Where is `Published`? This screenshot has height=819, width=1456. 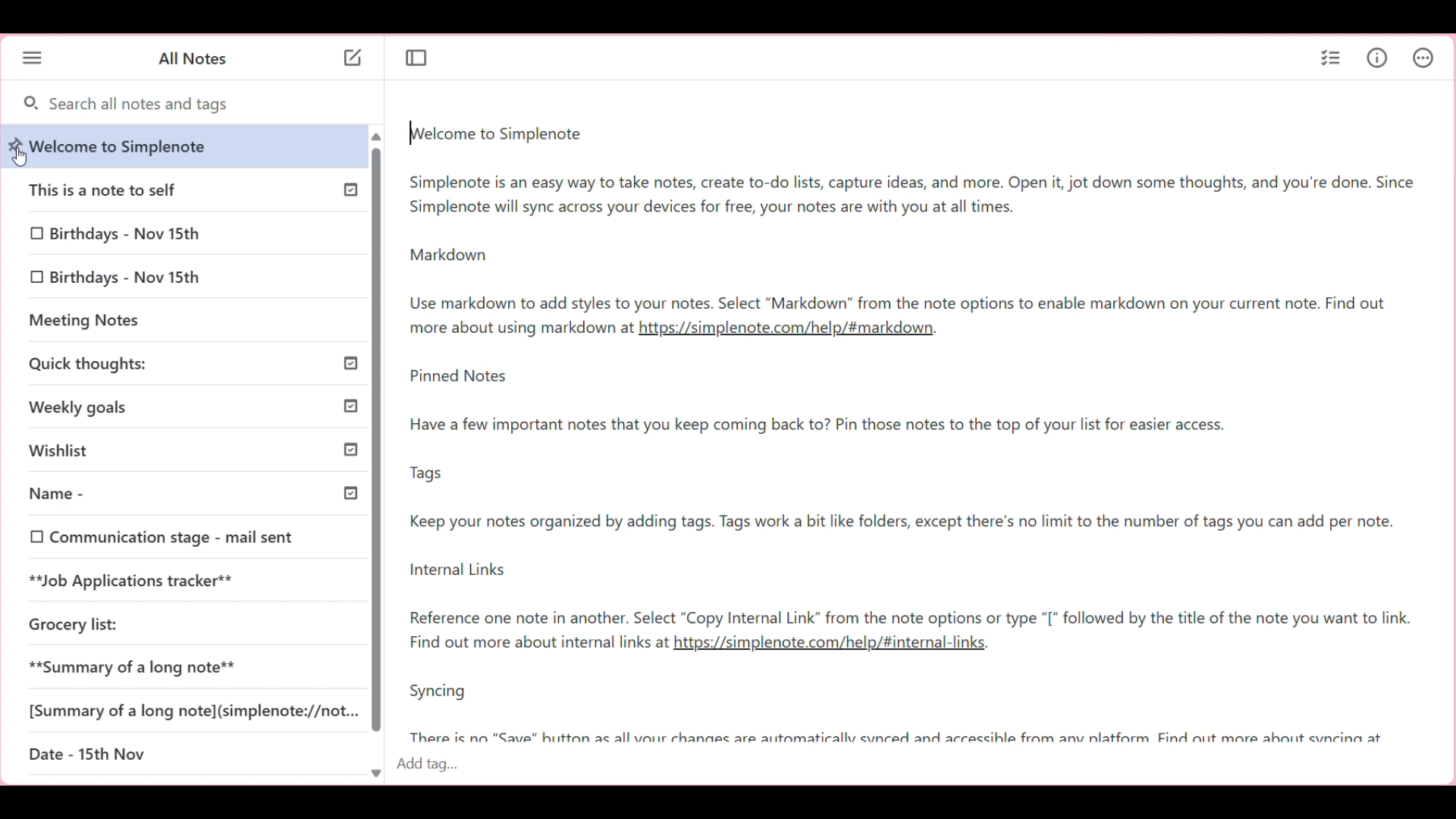
Published is located at coordinates (347, 406).